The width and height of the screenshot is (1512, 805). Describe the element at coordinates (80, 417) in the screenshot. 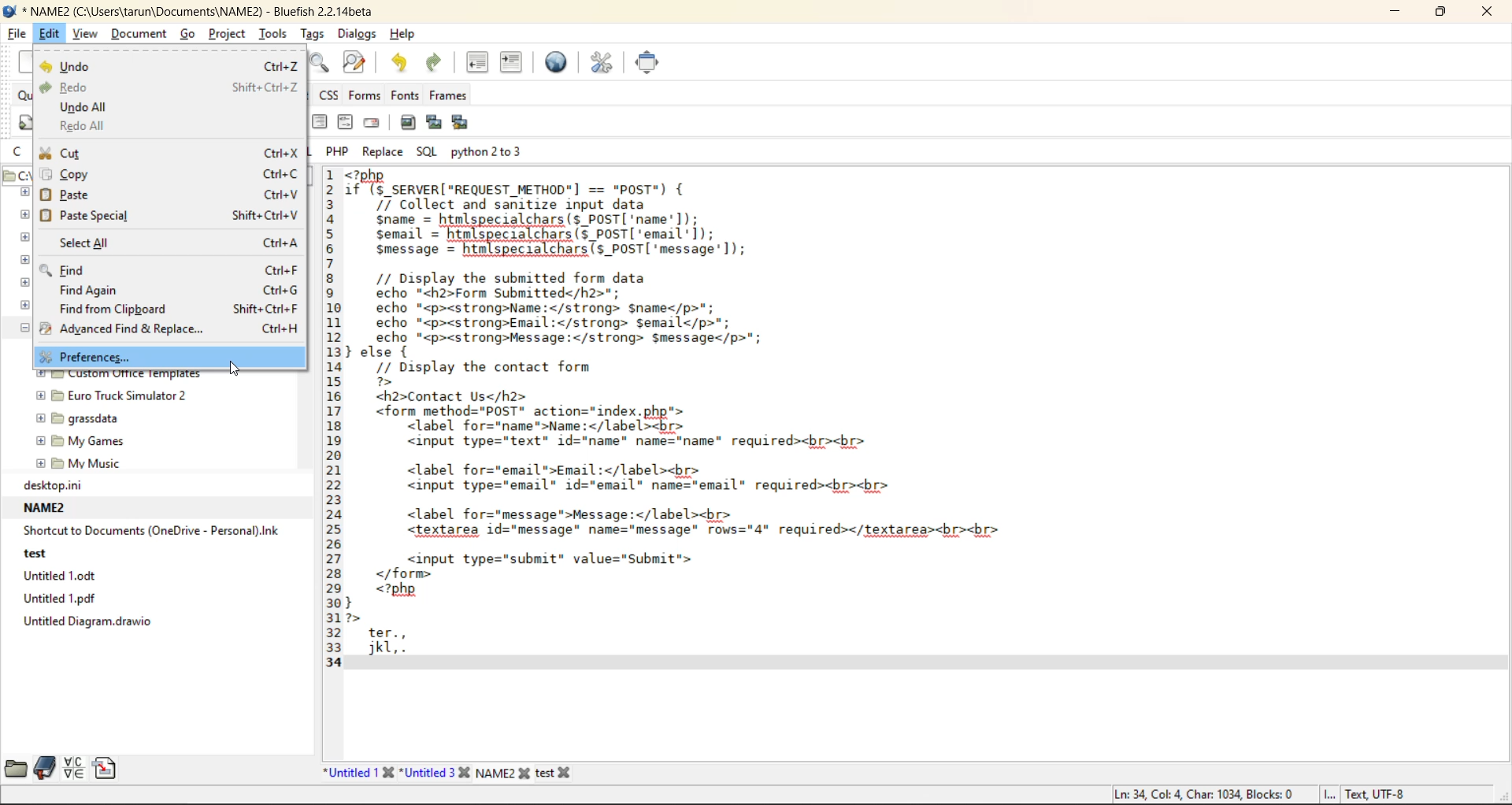

I see `grassdata` at that location.